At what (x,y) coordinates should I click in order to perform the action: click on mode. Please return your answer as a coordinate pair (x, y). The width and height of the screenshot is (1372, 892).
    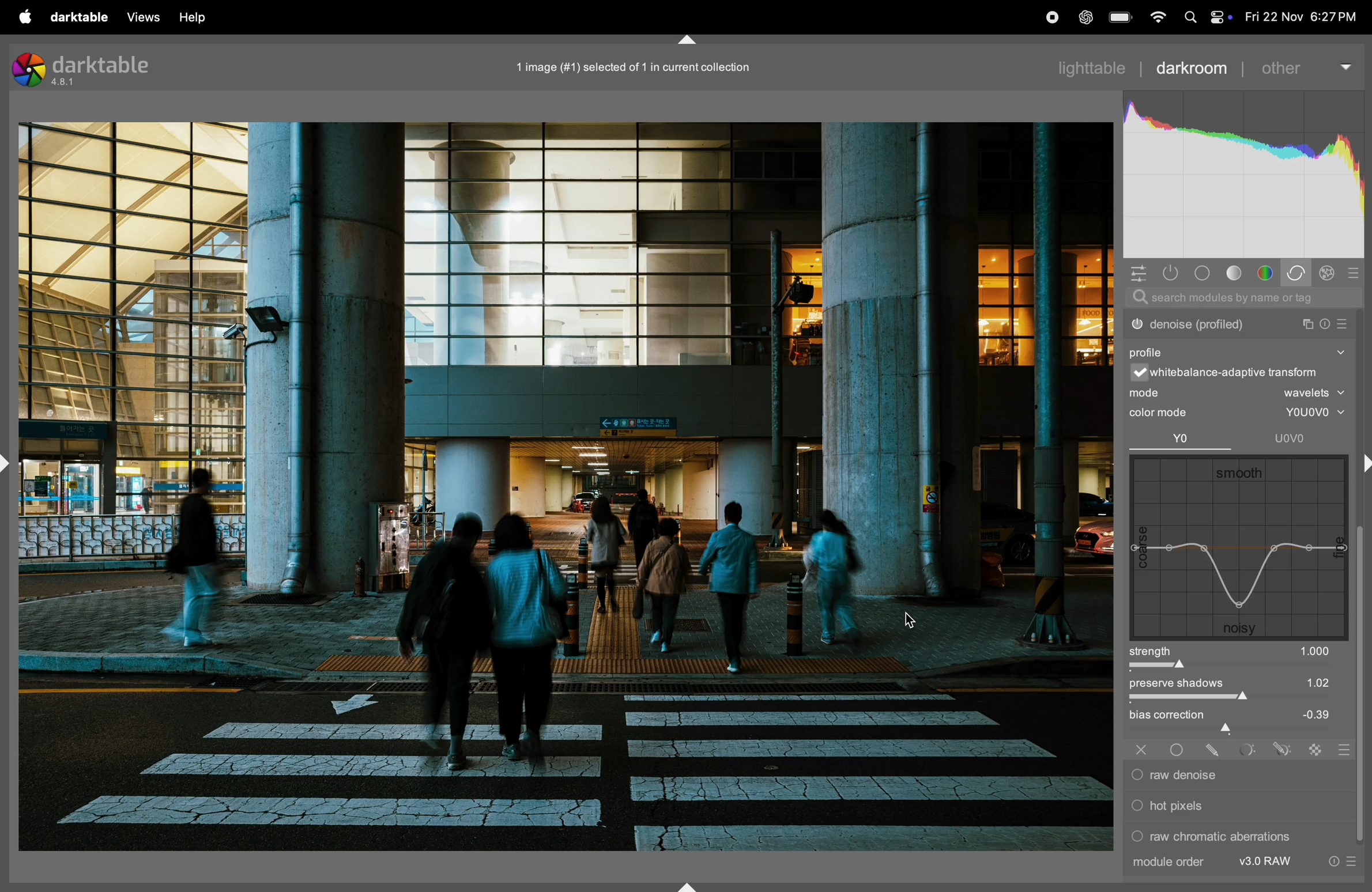
    Looking at the image, I should click on (1148, 393).